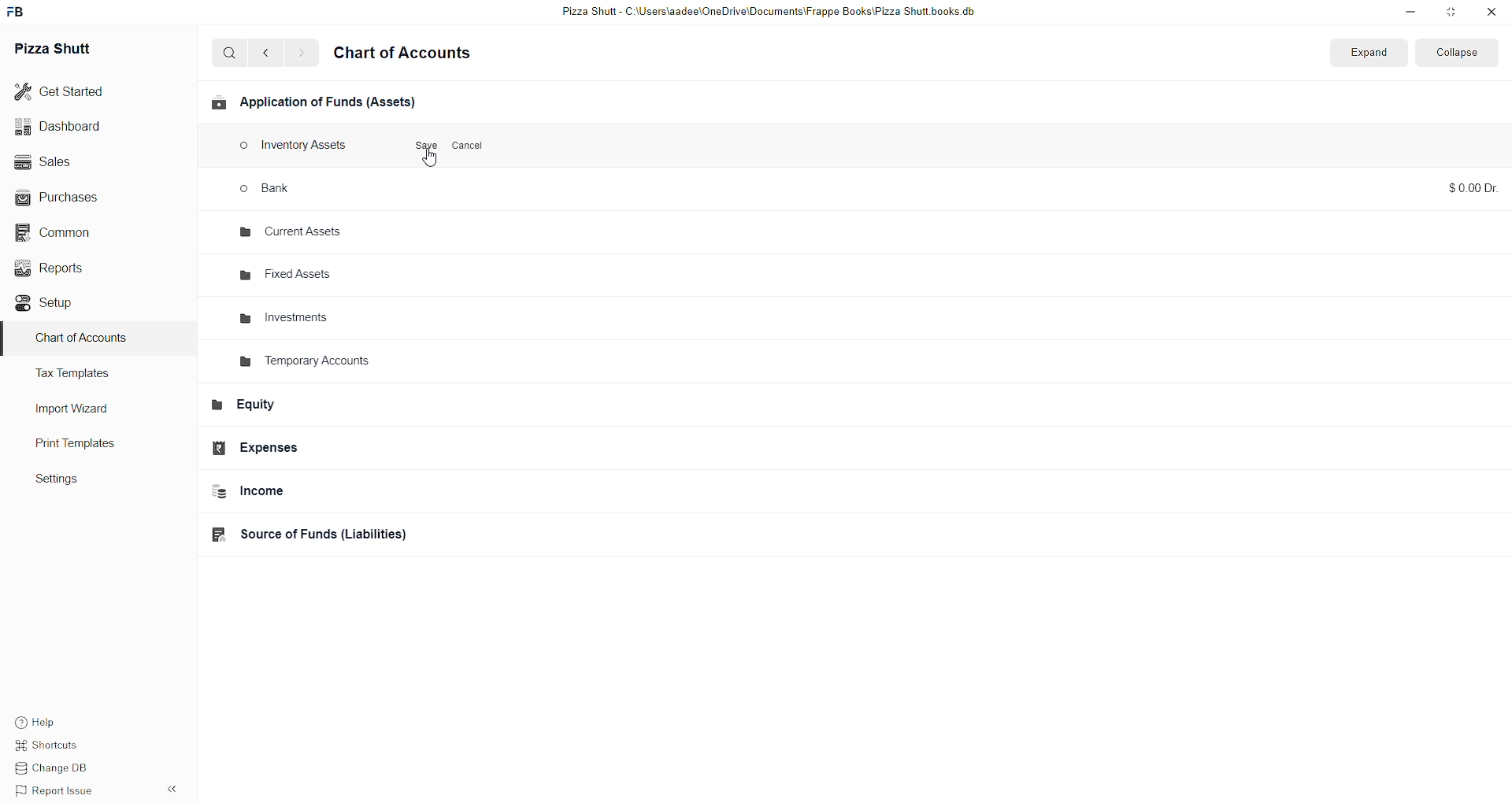  What do you see at coordinates (51, 722) in the screenshot?
I see `help` at bounding box center [51, 722].